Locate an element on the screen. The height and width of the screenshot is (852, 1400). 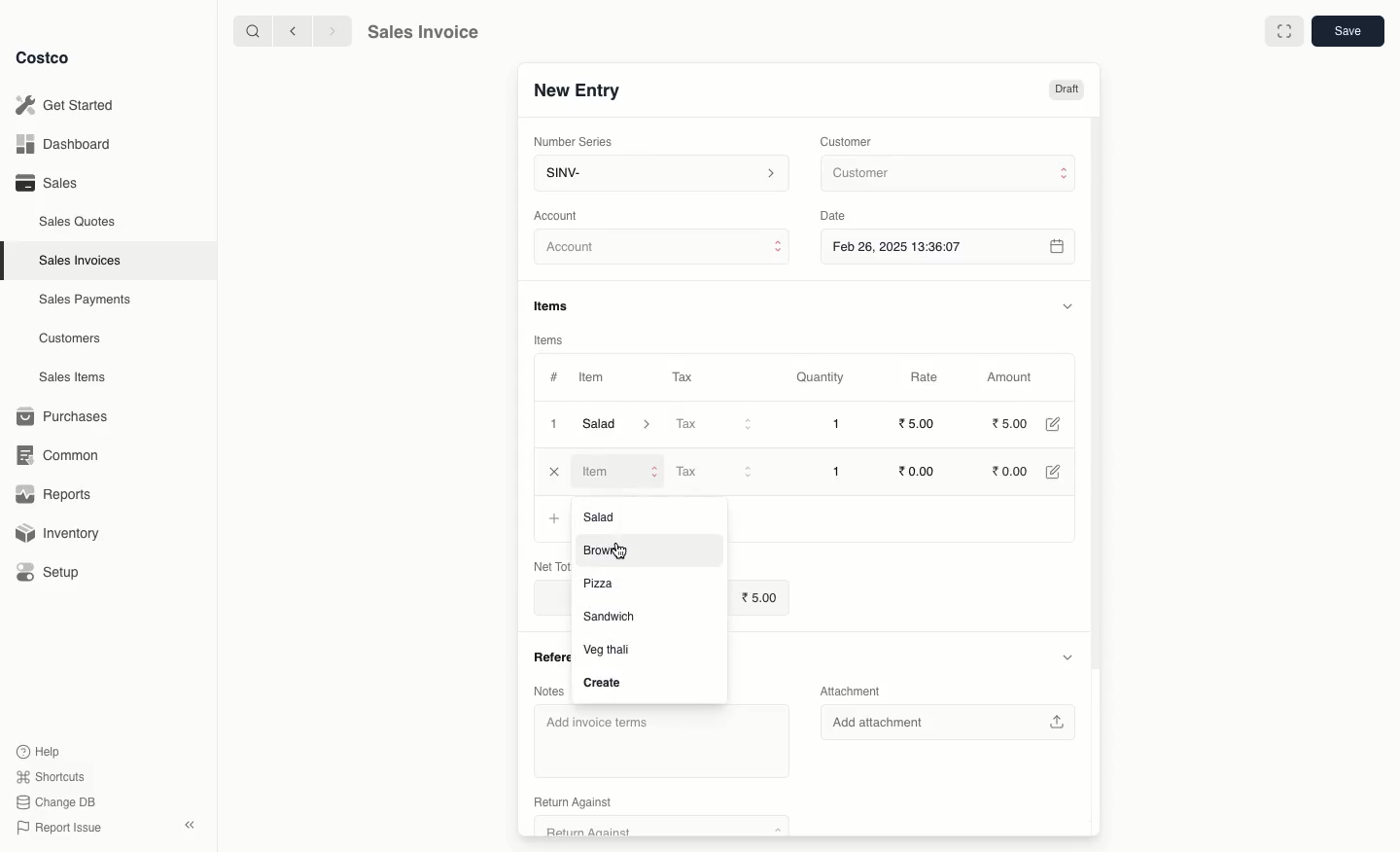
Items is located at coordinates (558, 305).